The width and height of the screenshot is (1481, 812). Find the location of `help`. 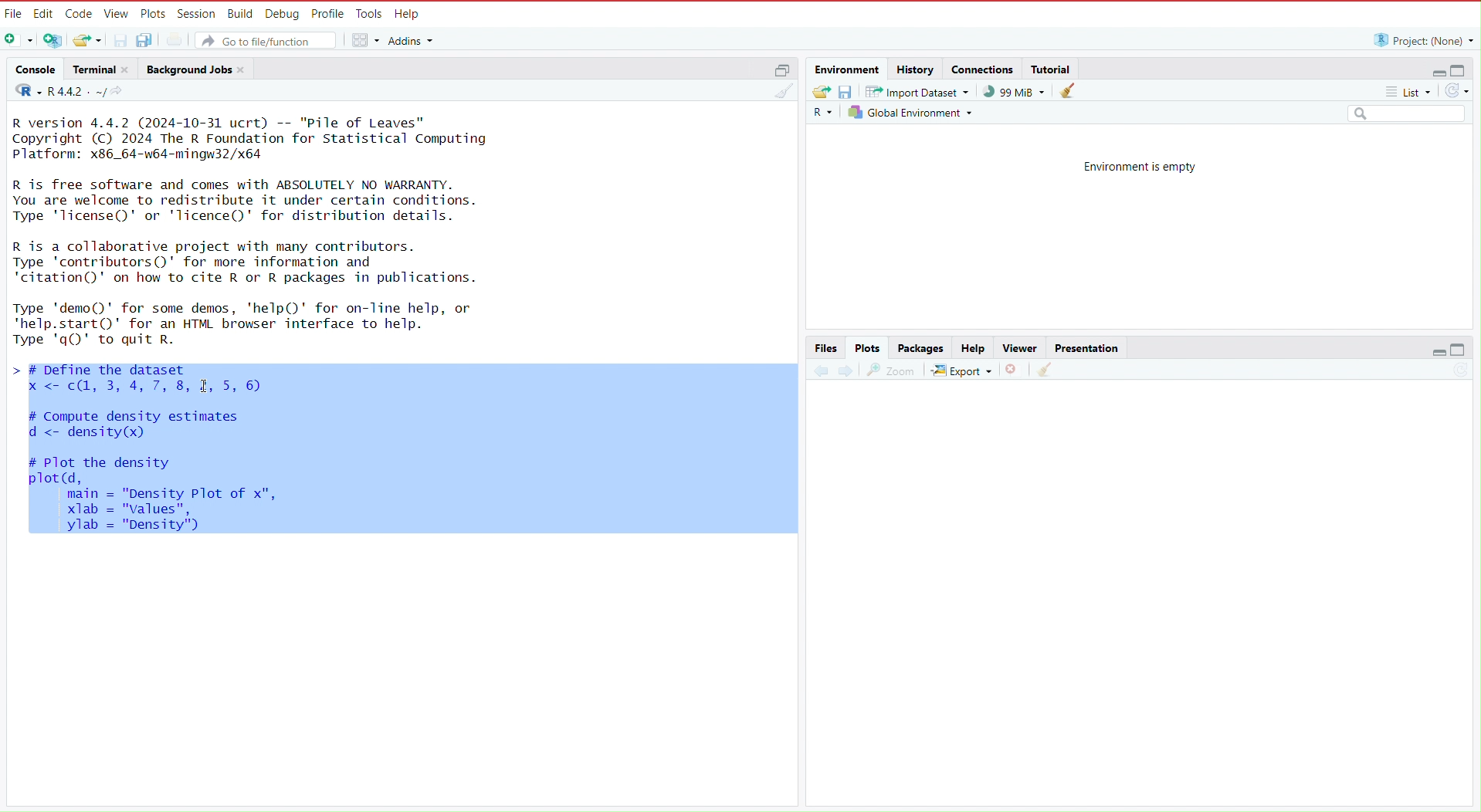

help is located at coordinates (971, 347).